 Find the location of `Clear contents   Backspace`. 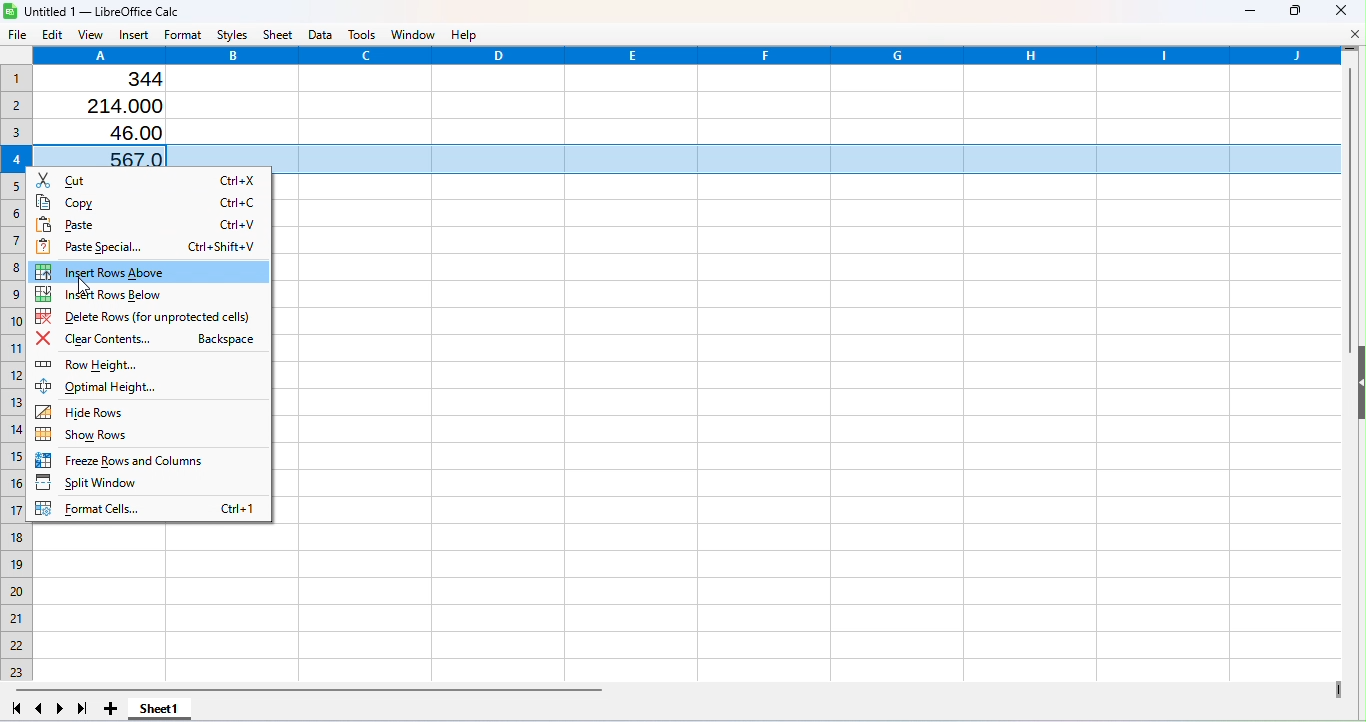

Clear contents   Backspace is located at coordinates (151, 339).